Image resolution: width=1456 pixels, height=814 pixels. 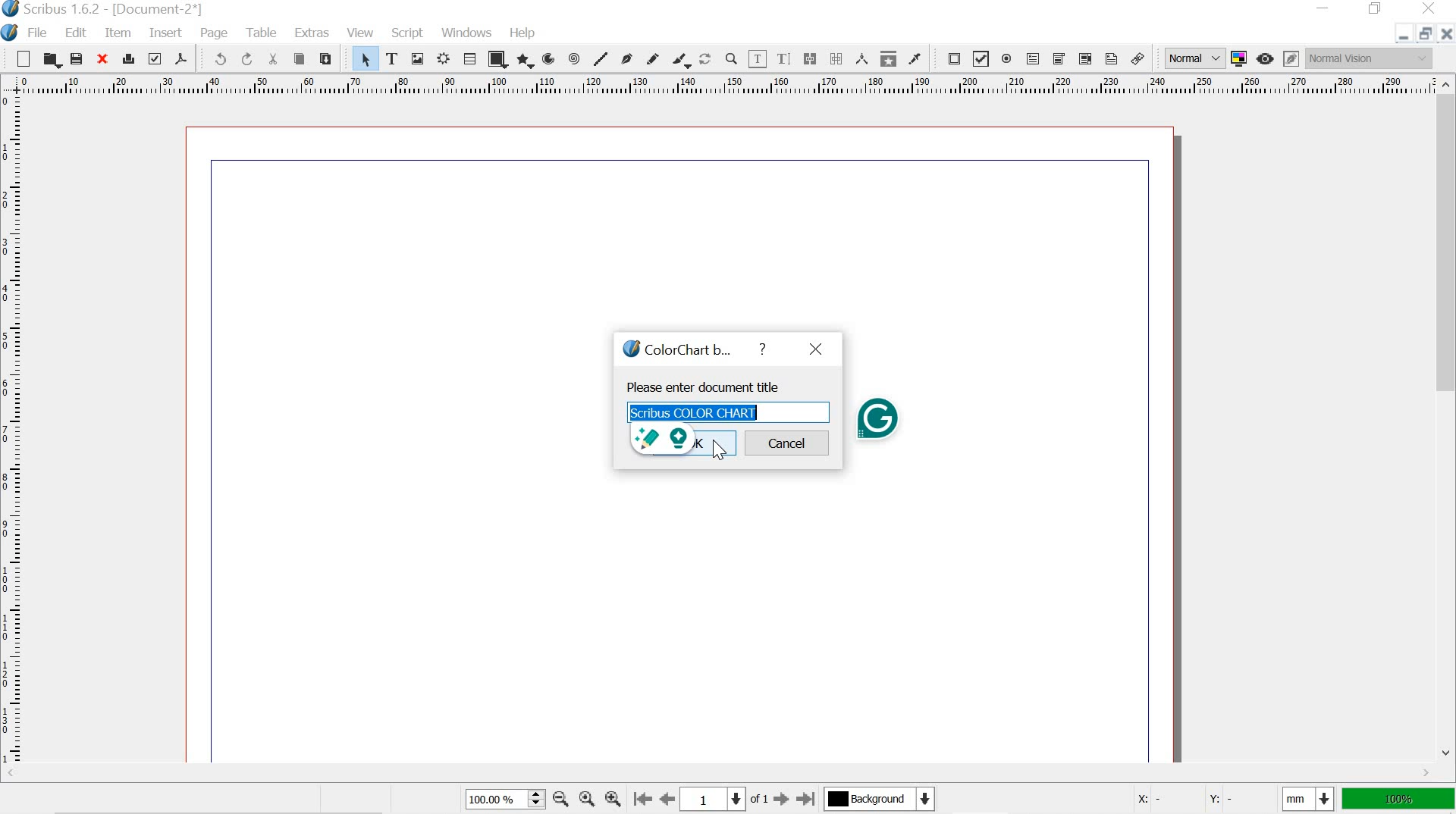 What do you see at coordinates (14, 433) in the screenshot?
I see `ruler` at bounding box center [14, 433].